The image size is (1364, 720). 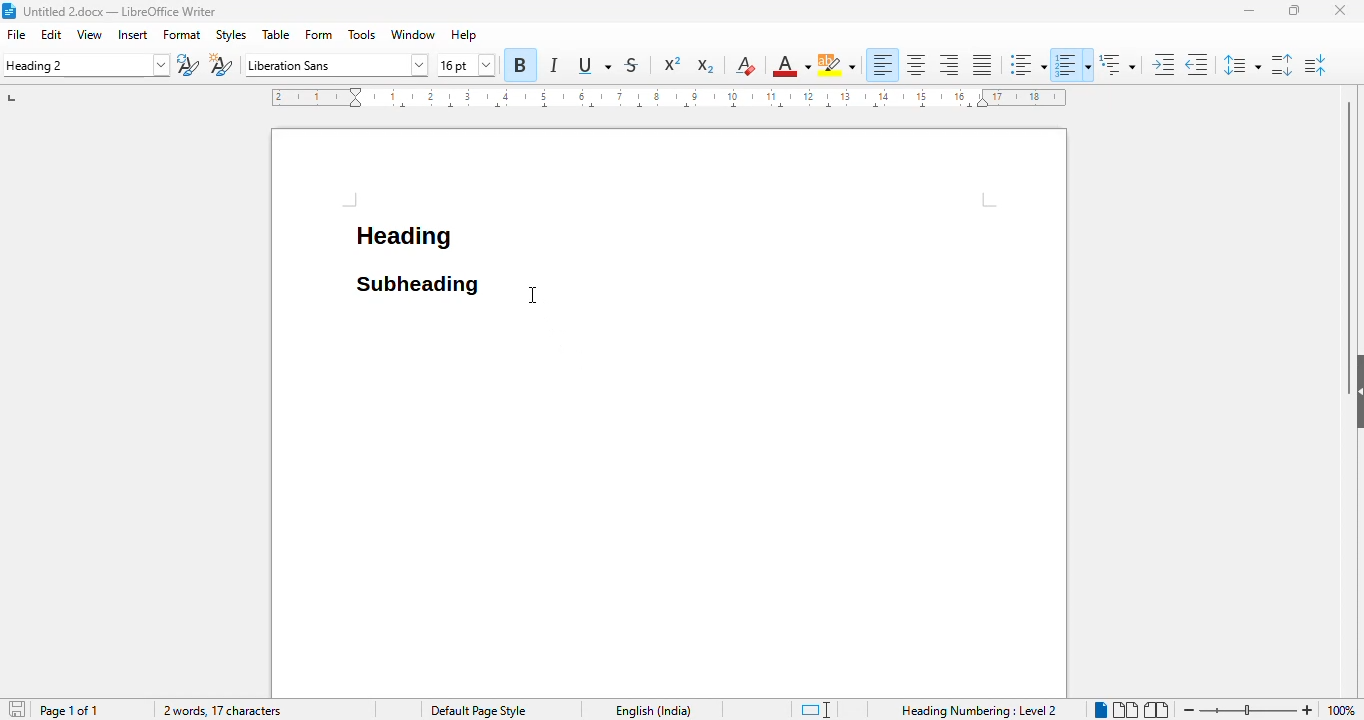 I want to click on zoom factor, so click(x=1341, y=710).